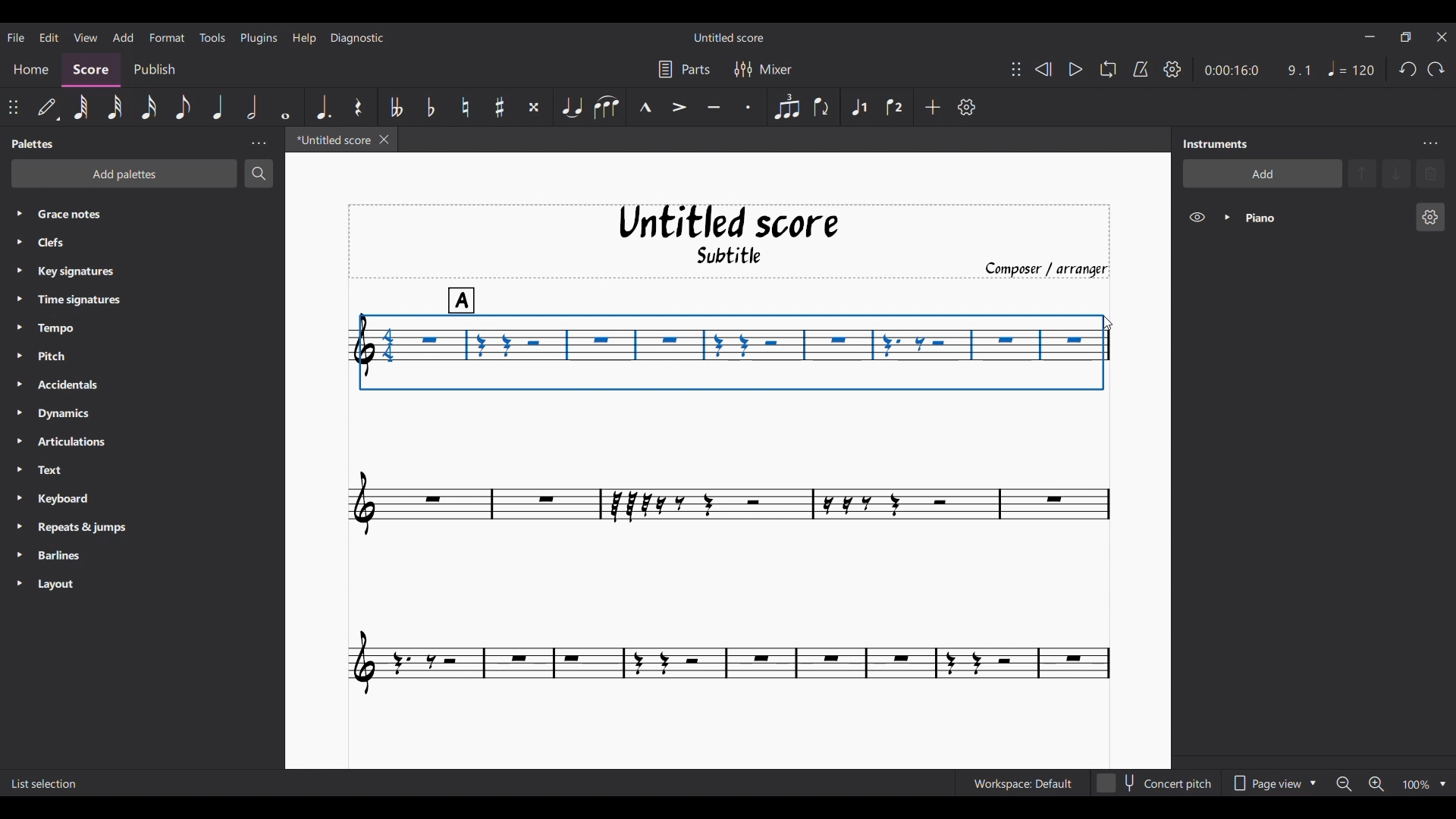 Image resolution: width=1456 pixels, height=819 pixels. I want to click on Time signatures, so click(93, 299).